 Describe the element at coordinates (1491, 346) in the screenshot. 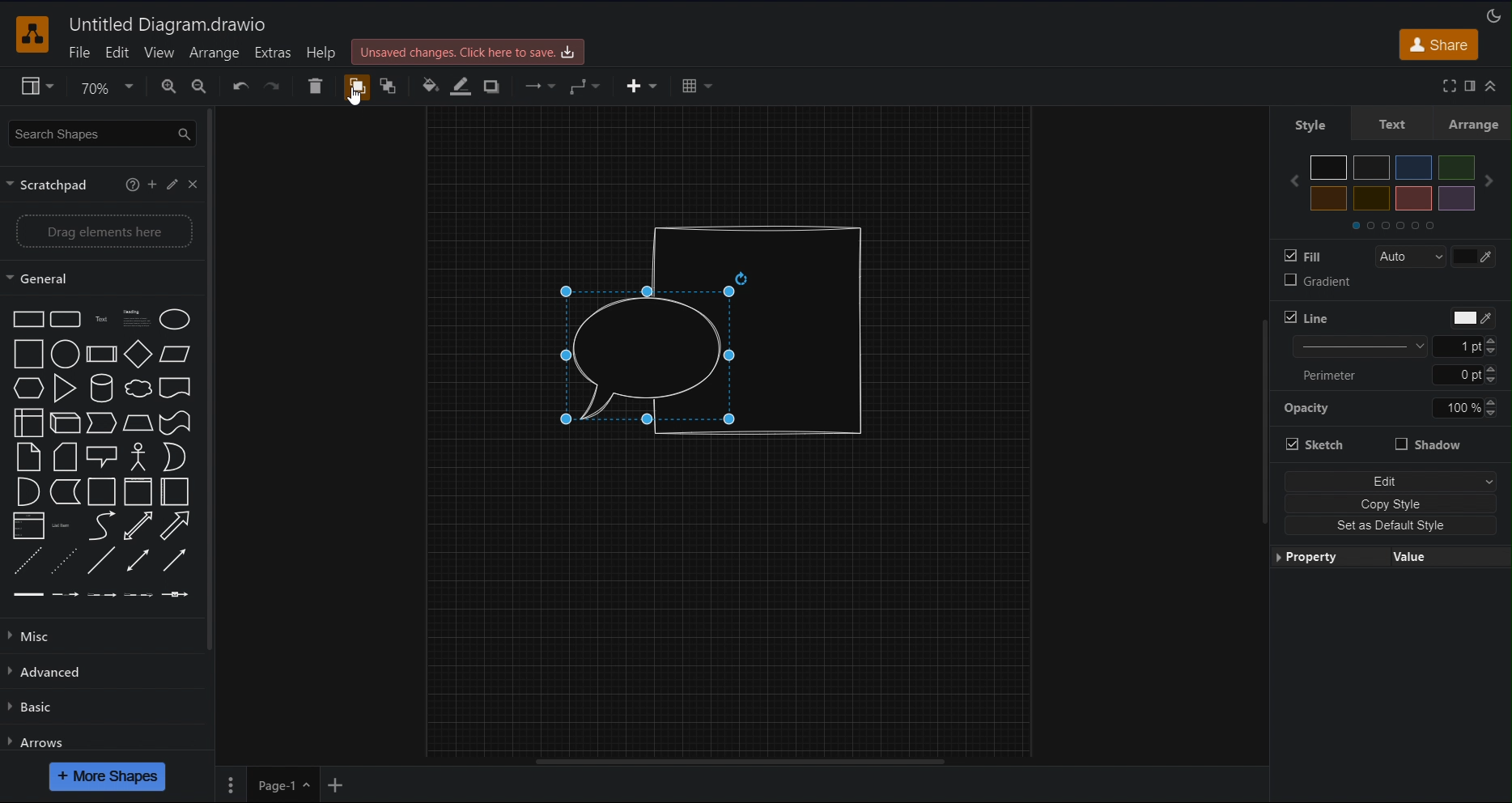

I see `Increase/Decrease line thickness` at that location.